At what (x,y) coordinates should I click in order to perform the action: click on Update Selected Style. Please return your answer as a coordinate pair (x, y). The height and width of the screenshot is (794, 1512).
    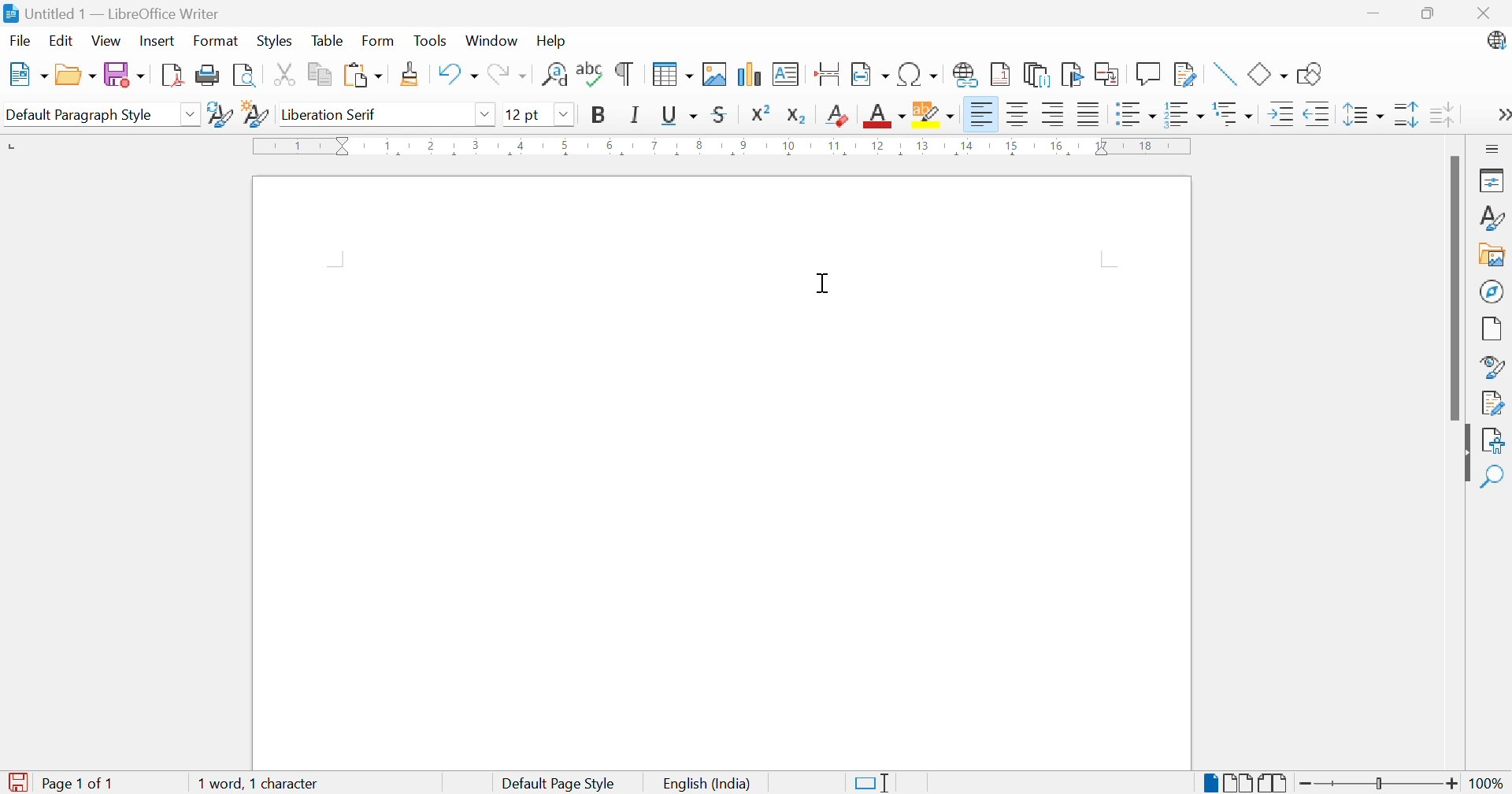
    Looking at the image, I should click on (220, 114).